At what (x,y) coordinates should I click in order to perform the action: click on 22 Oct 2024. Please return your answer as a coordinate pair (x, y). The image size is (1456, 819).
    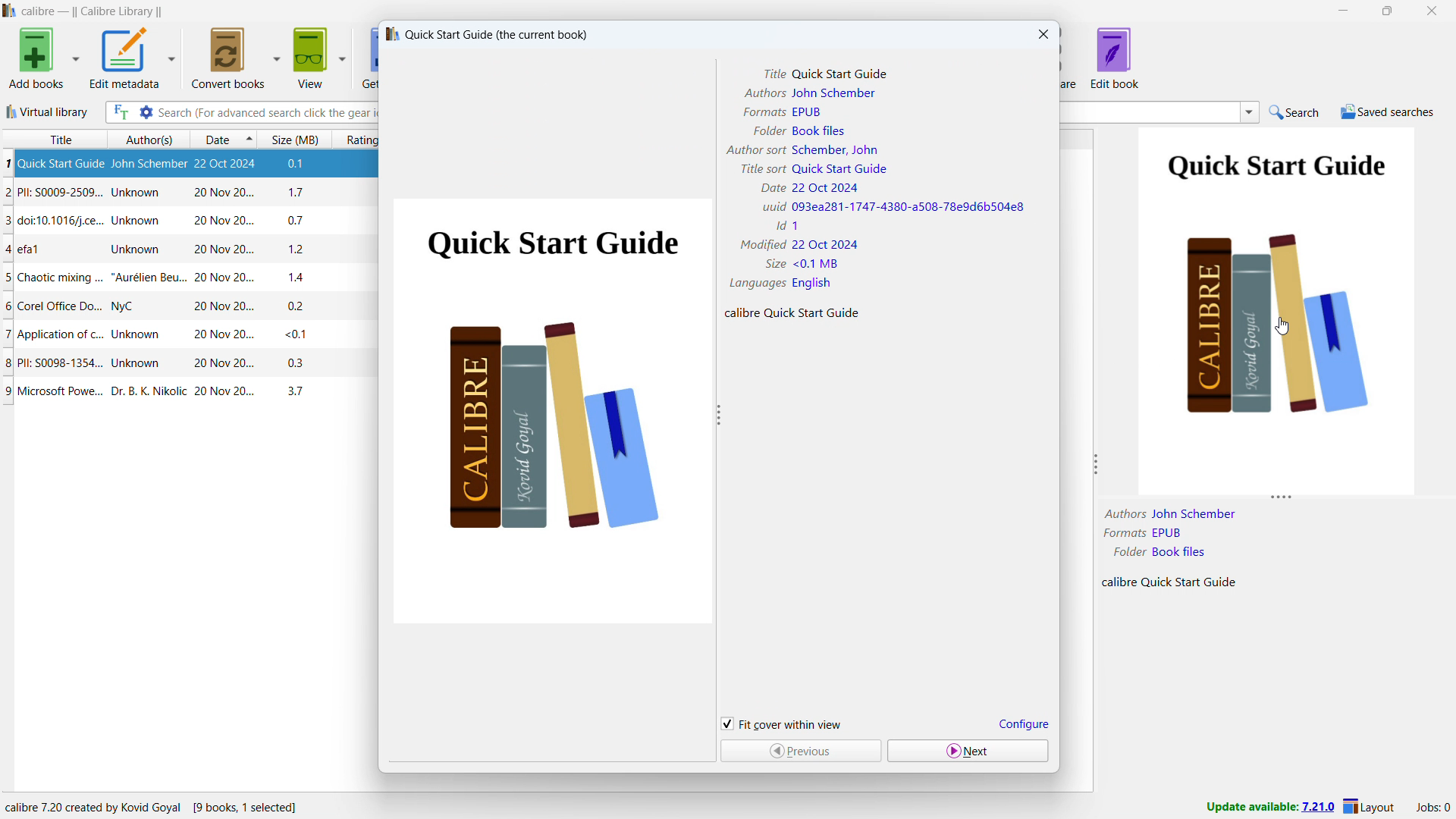
    Looking at the image, I should click on (824, 188).